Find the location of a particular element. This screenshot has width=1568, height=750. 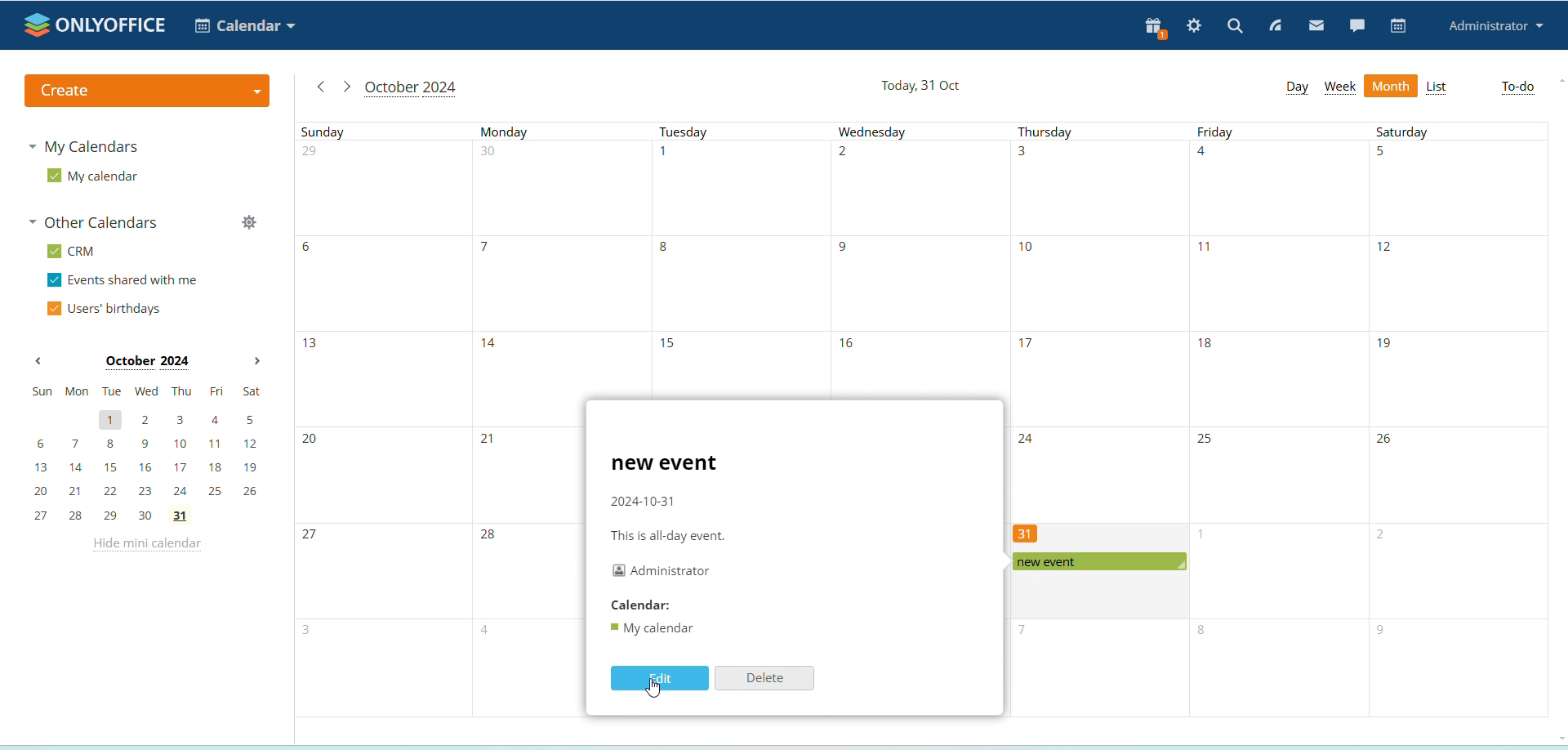

administrator is located at coordinates (1497, 27).